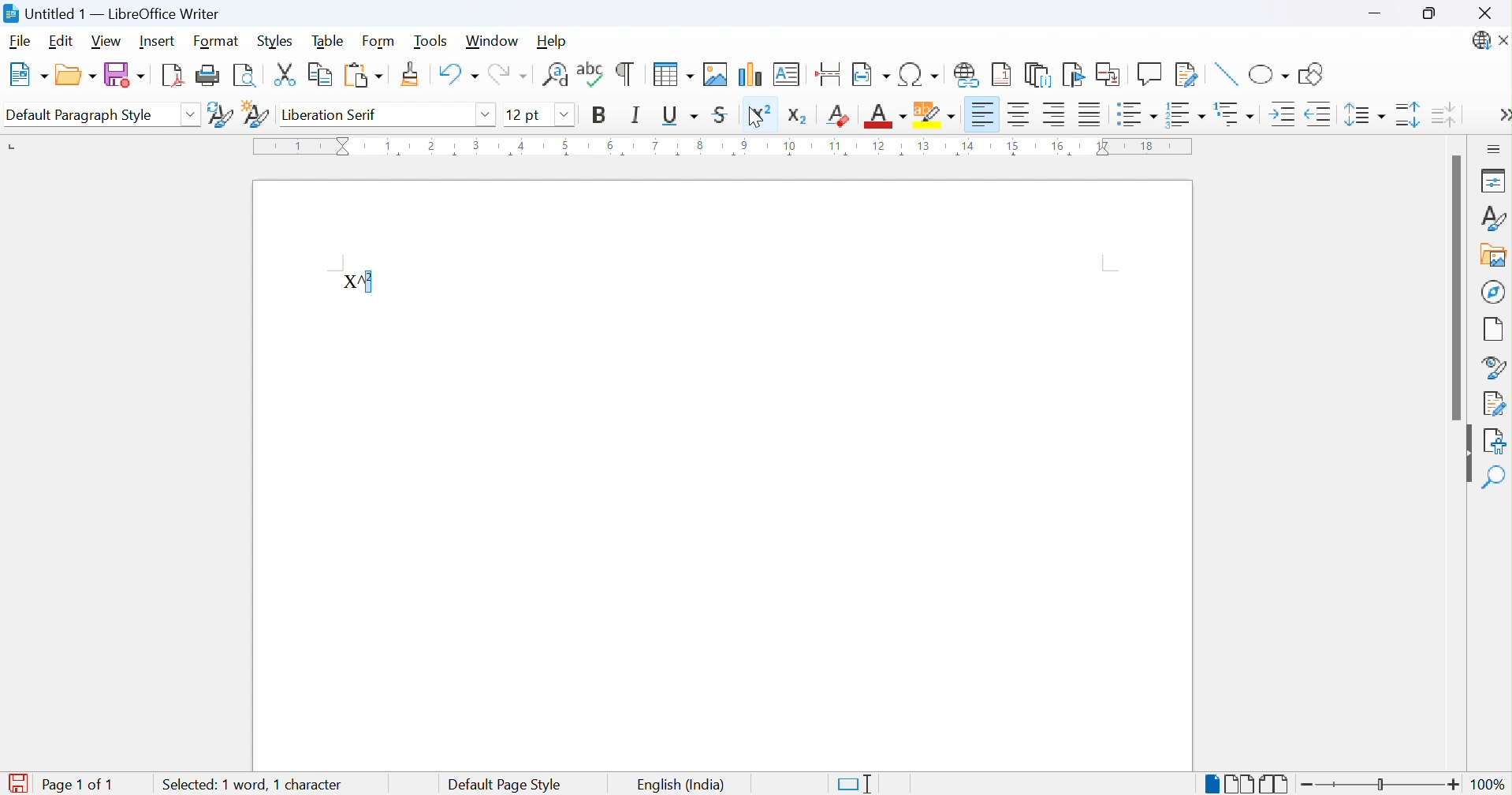 This screenshot has width=1512, height=795. Describe the element at coordinates (1234, 112) in the screenshot. I see `Select outline format` at that location.